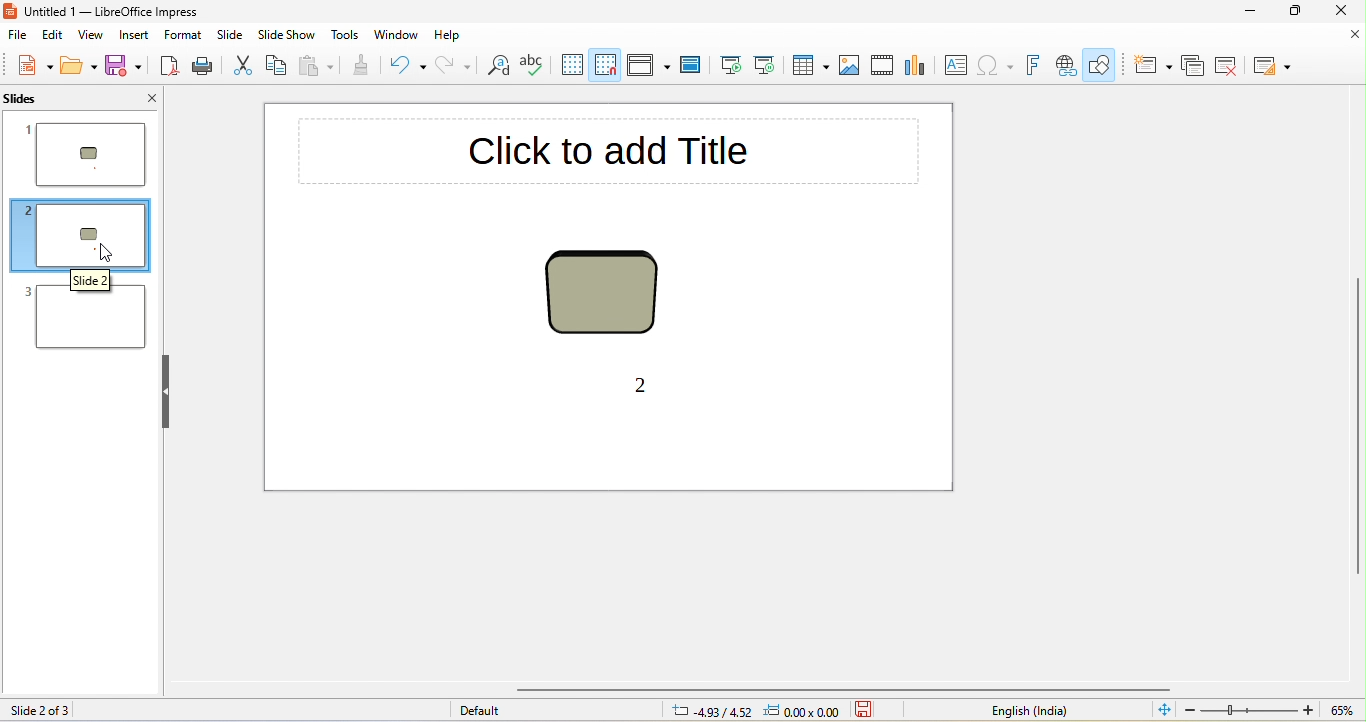 This screenshot has height=722, width=1366. I want to click on copy, so click(279, 67).